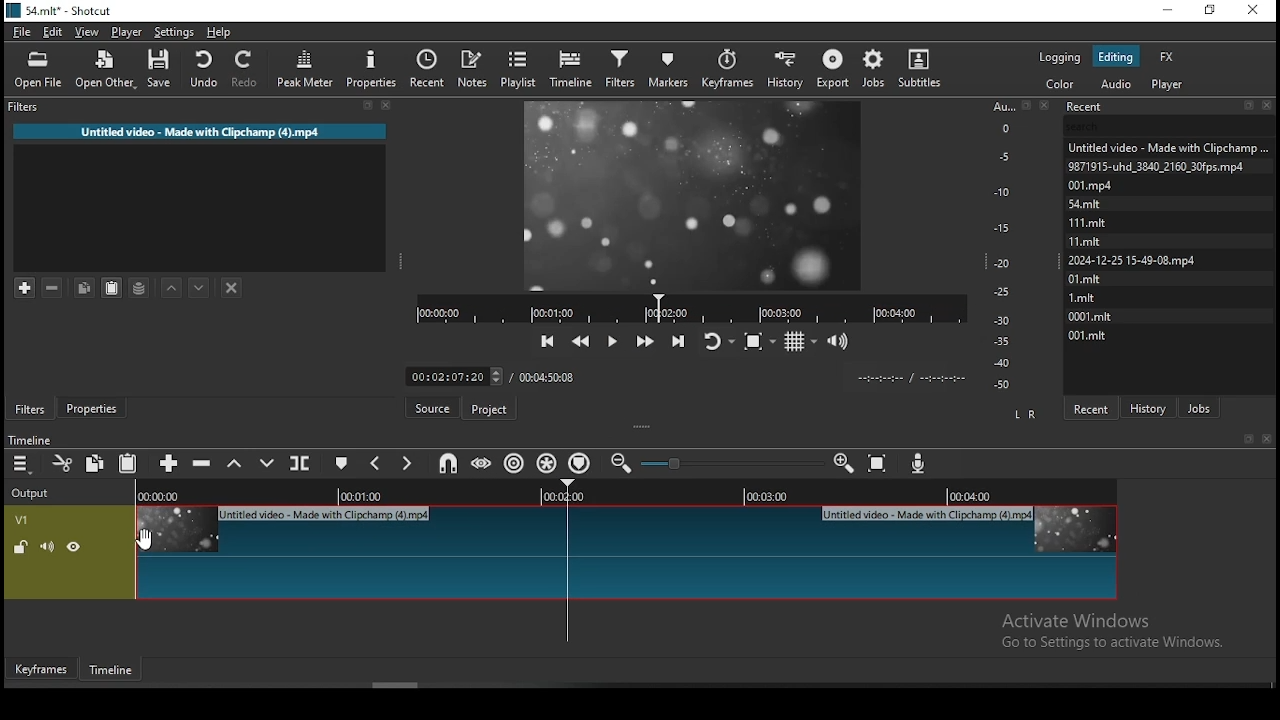  What do you see at coordinates (140, 288) in the screenshot?
I see `save filter set` at bounding box center [140, 288].